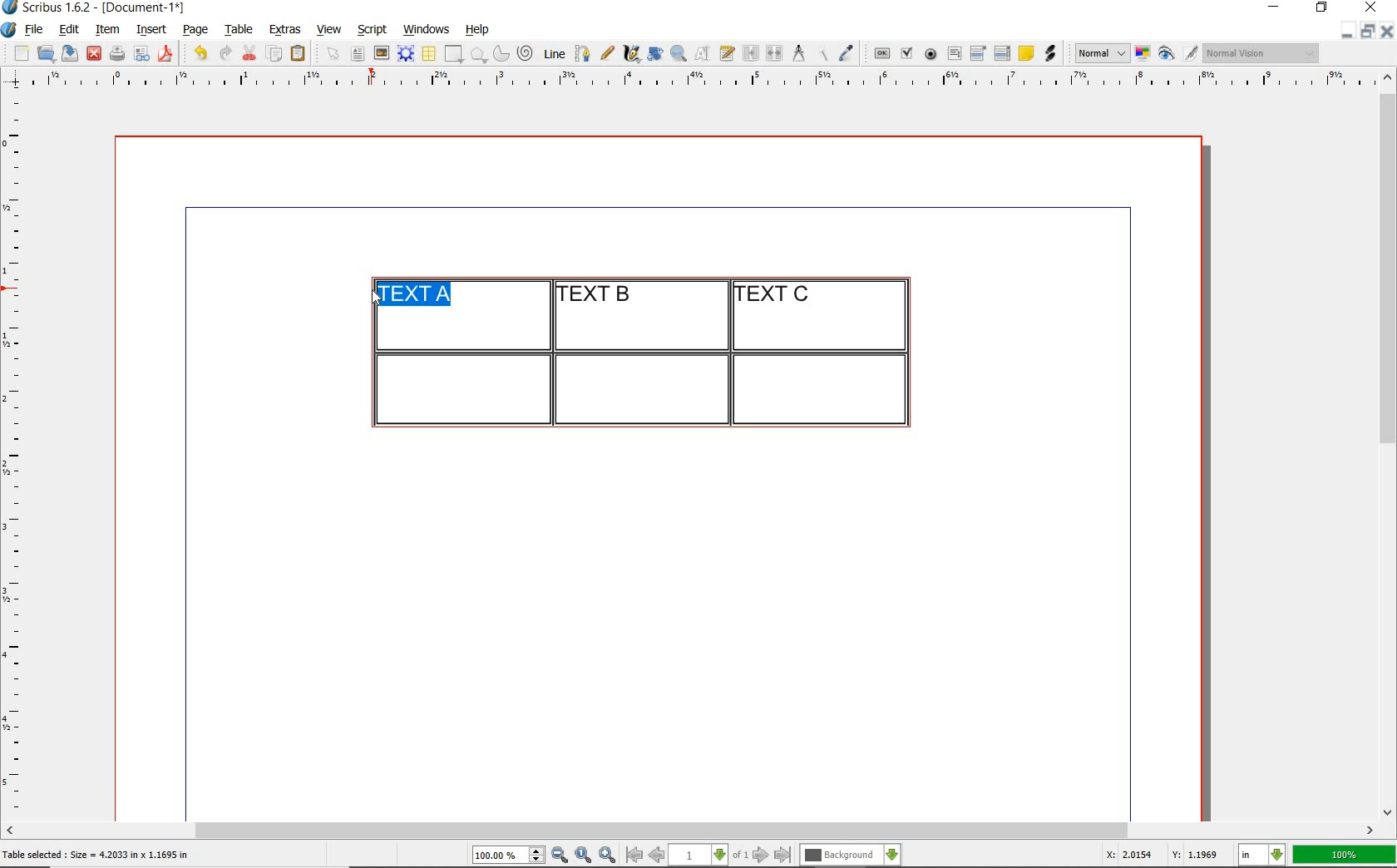  What do you see at coordinates (372, 29) in the screenshot?
I see `script` at bounding box center [372, 29].